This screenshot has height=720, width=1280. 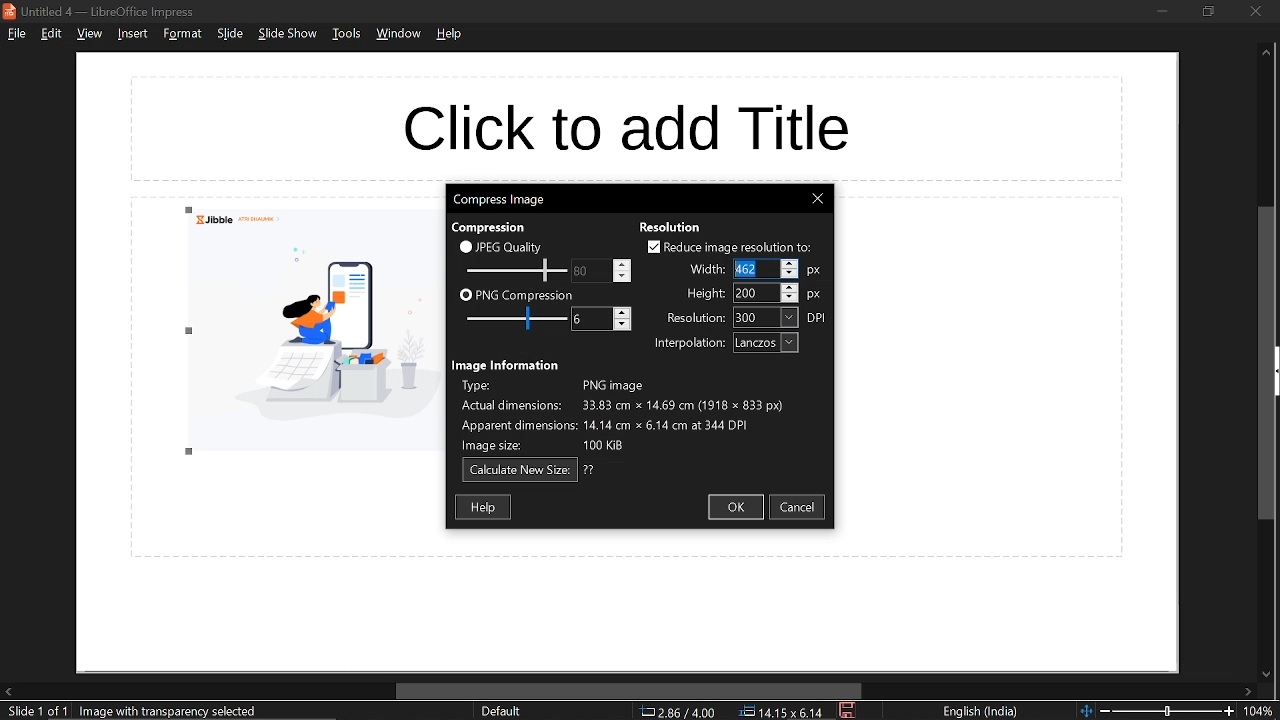 I want to click on horizontal scrollbar, so click(x=630, y=691).